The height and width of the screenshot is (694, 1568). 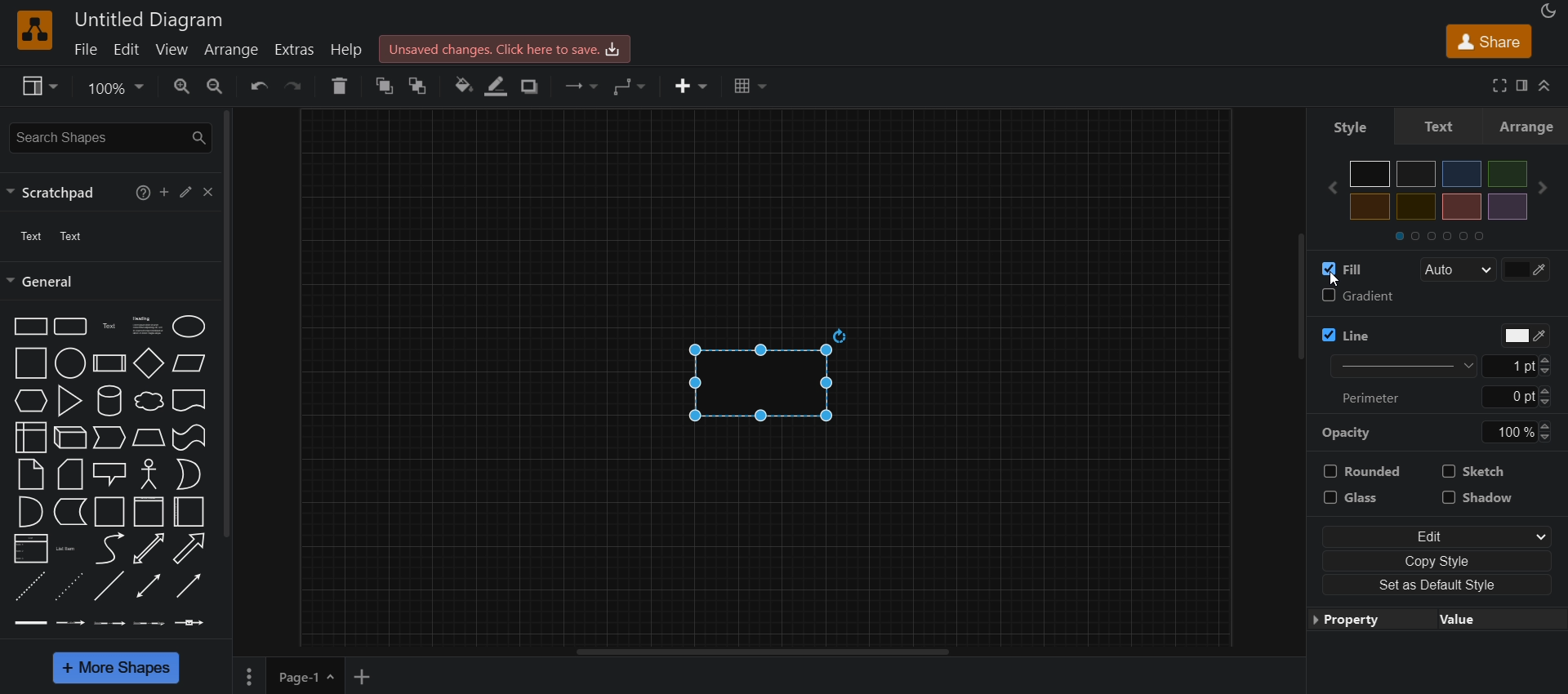 I want to click on decrease opacity, so click(x=1547, y=436).